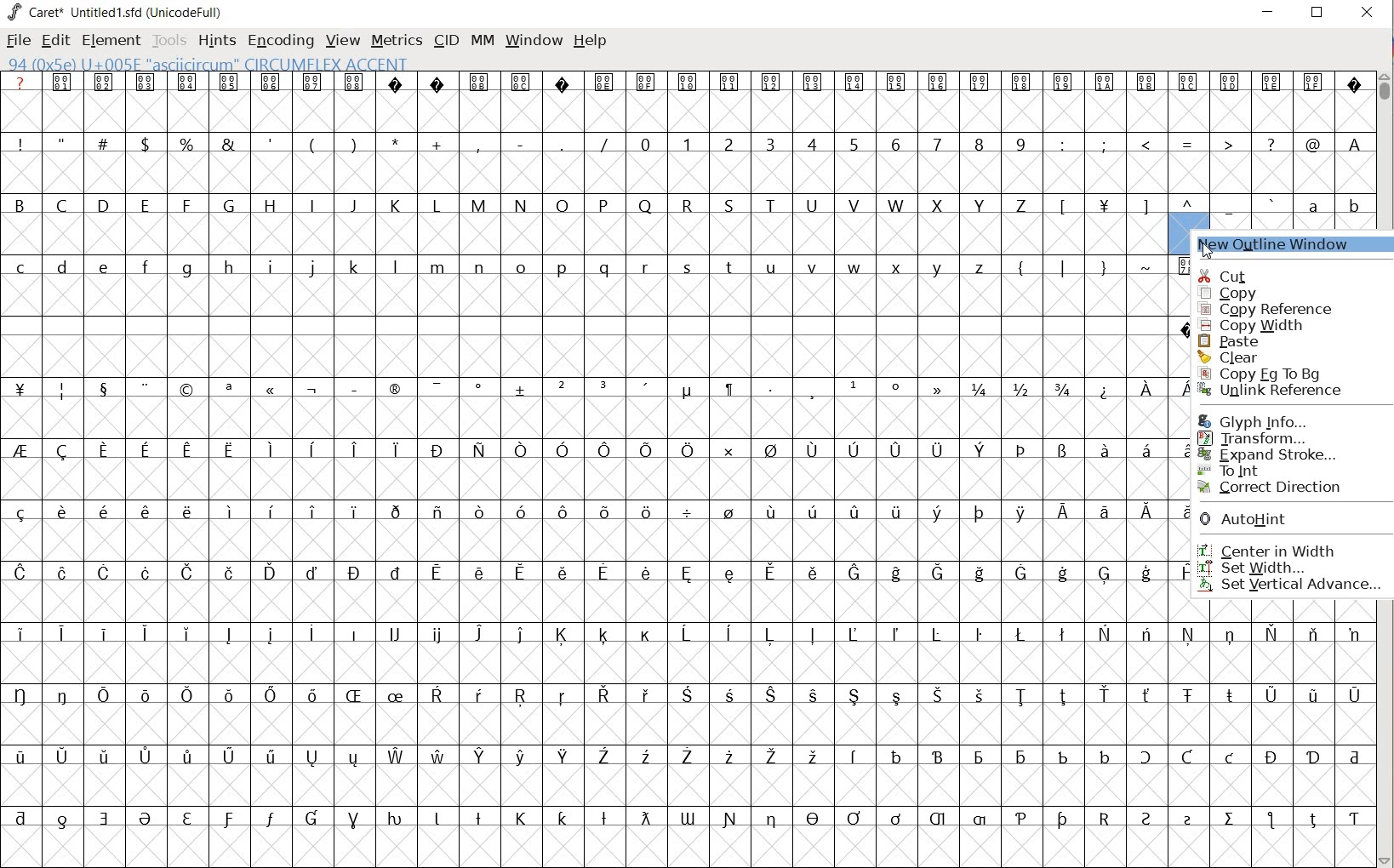  I want to click on To Int, so click(1283, 469).